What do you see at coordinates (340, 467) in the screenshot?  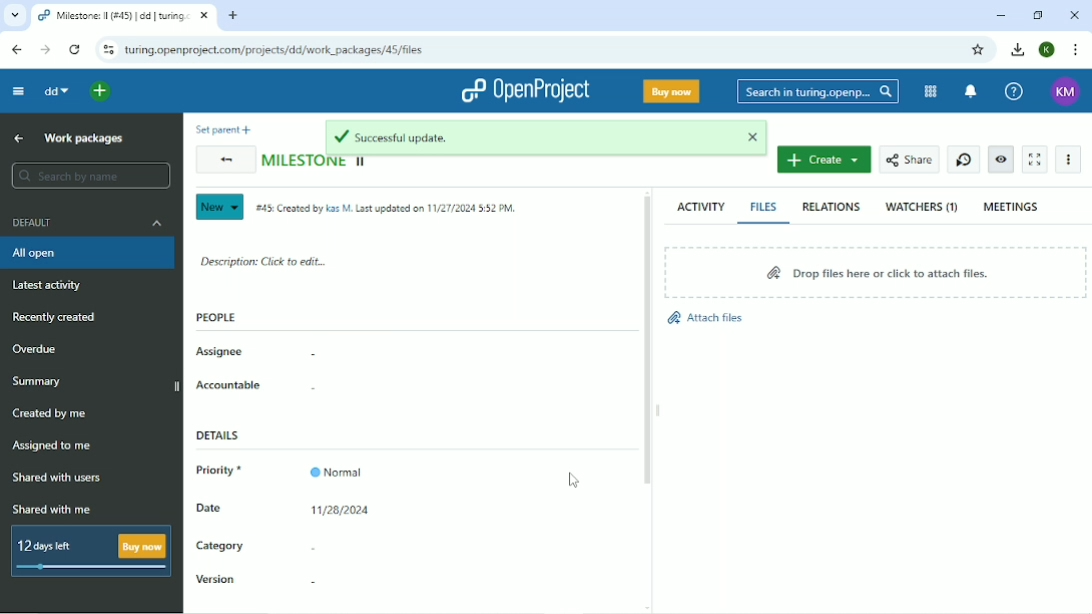 I see `normal` at bounding box center [340, 467].